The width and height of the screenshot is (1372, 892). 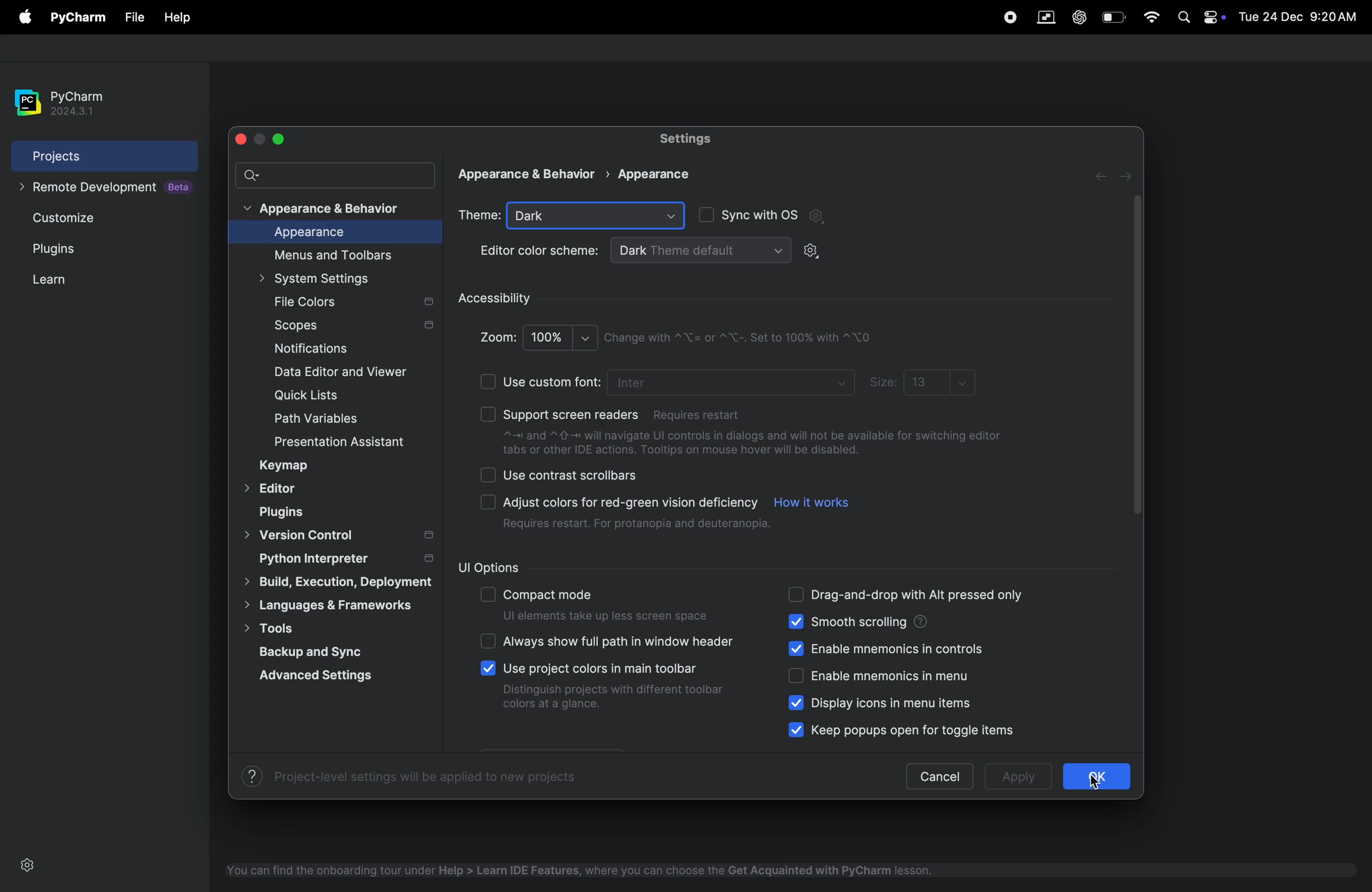 What do you see at coordinates (1046, 18) in the screenshot?
I see `vm` at bounding box center [1046, 18].